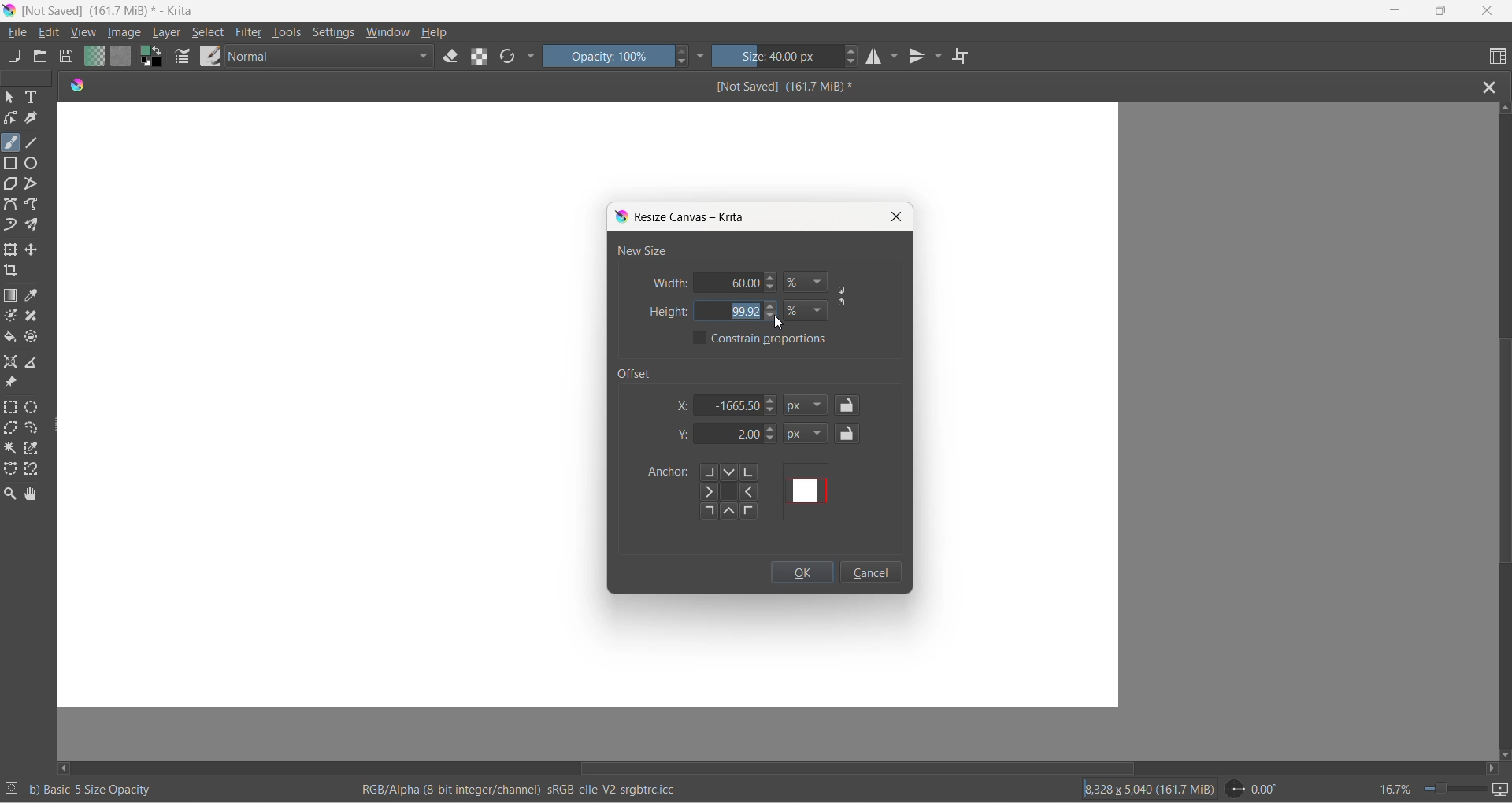 This screenshot has width=1512, height=803. I want to click on number of selections, so click(12, 790).